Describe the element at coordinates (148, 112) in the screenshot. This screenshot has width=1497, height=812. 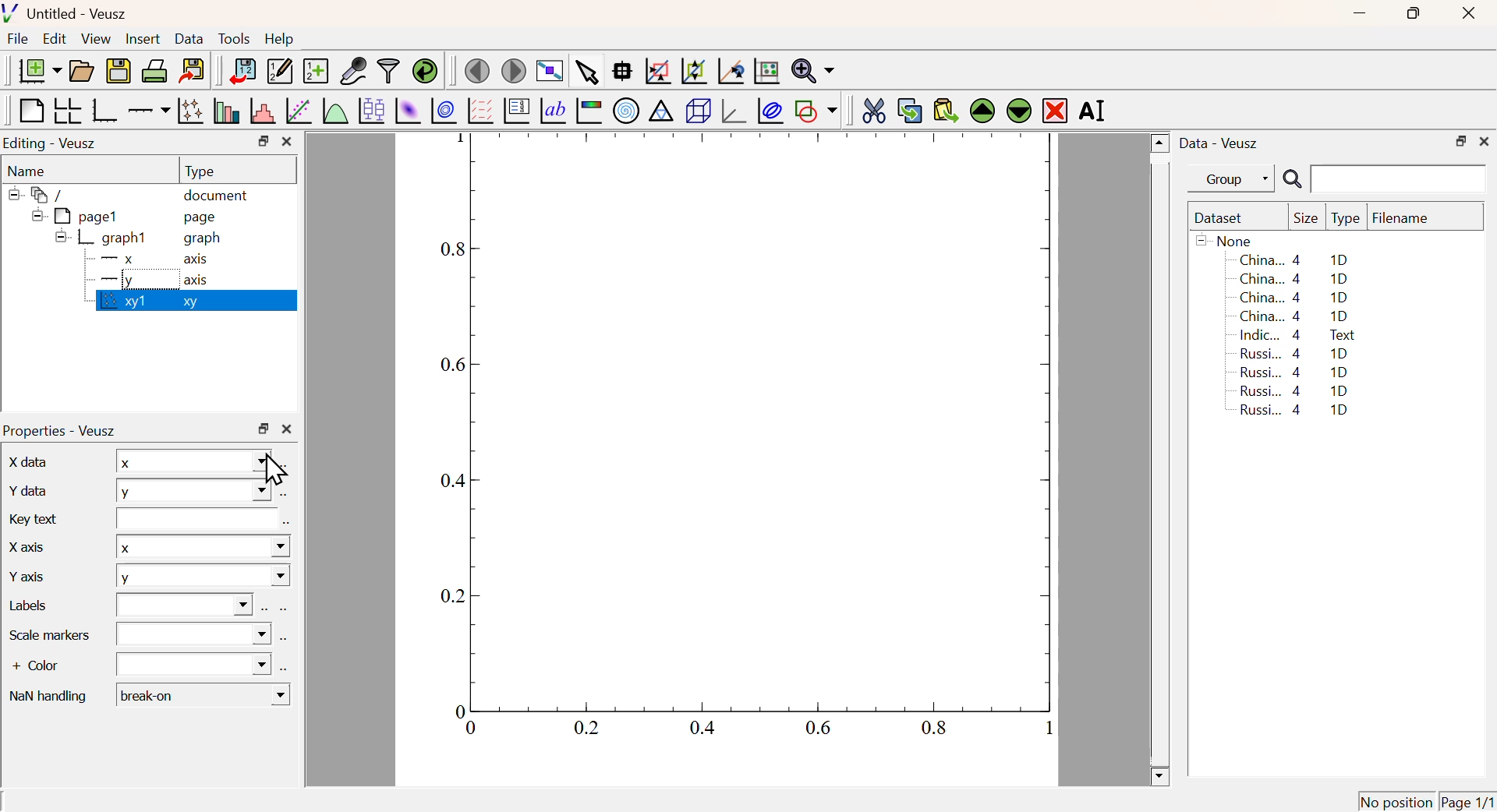
I see `Add an axis to a plot` at that location.